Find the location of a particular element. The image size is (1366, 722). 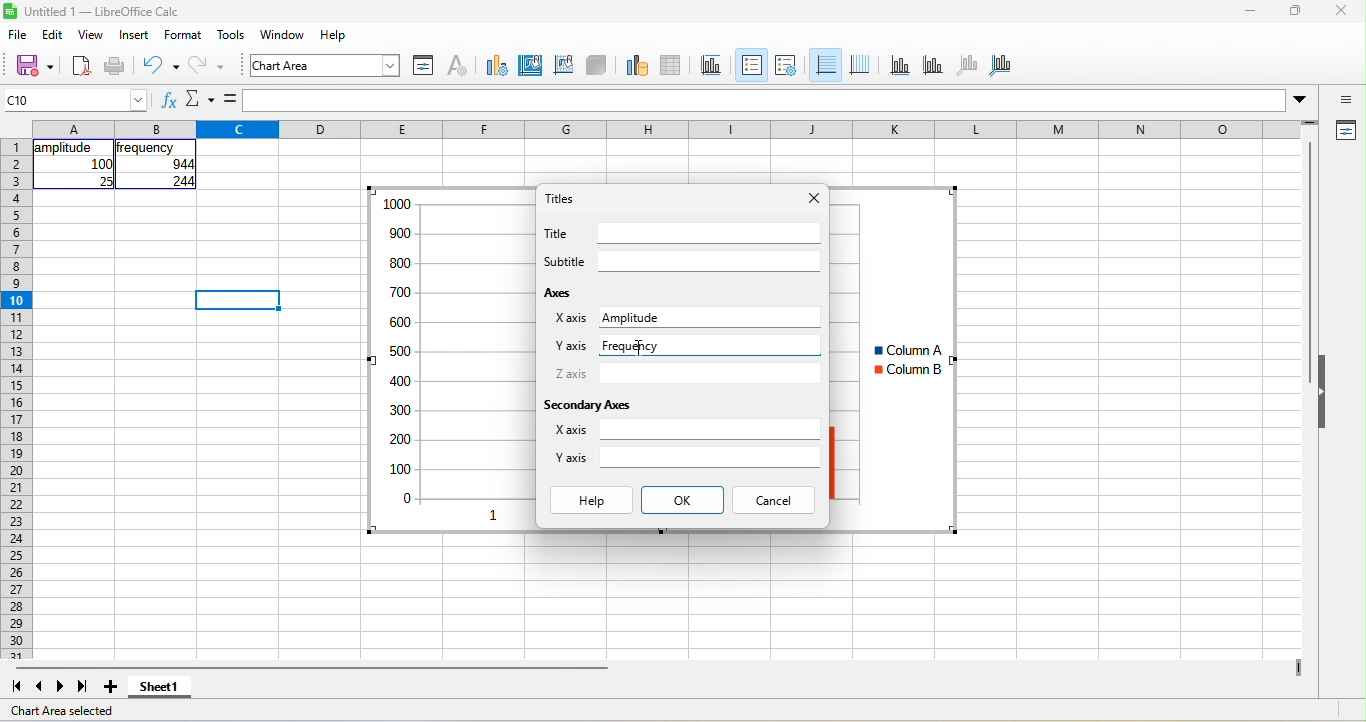

redo is located at coordinates (207, 67).